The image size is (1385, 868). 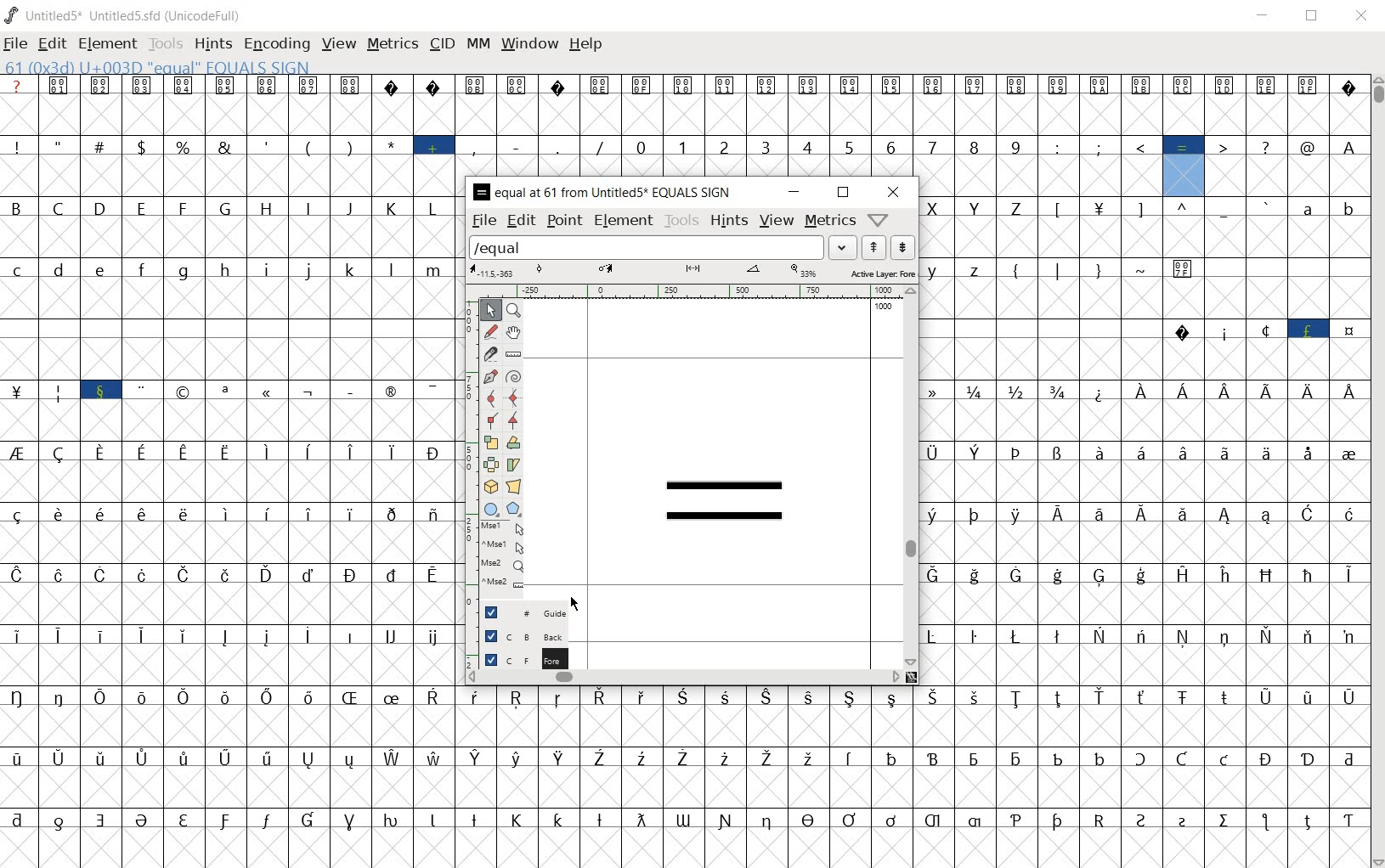 What do you see at coordinates (211, 43) in the screenshot?
I see `hints` at bounding box center [211, 43].